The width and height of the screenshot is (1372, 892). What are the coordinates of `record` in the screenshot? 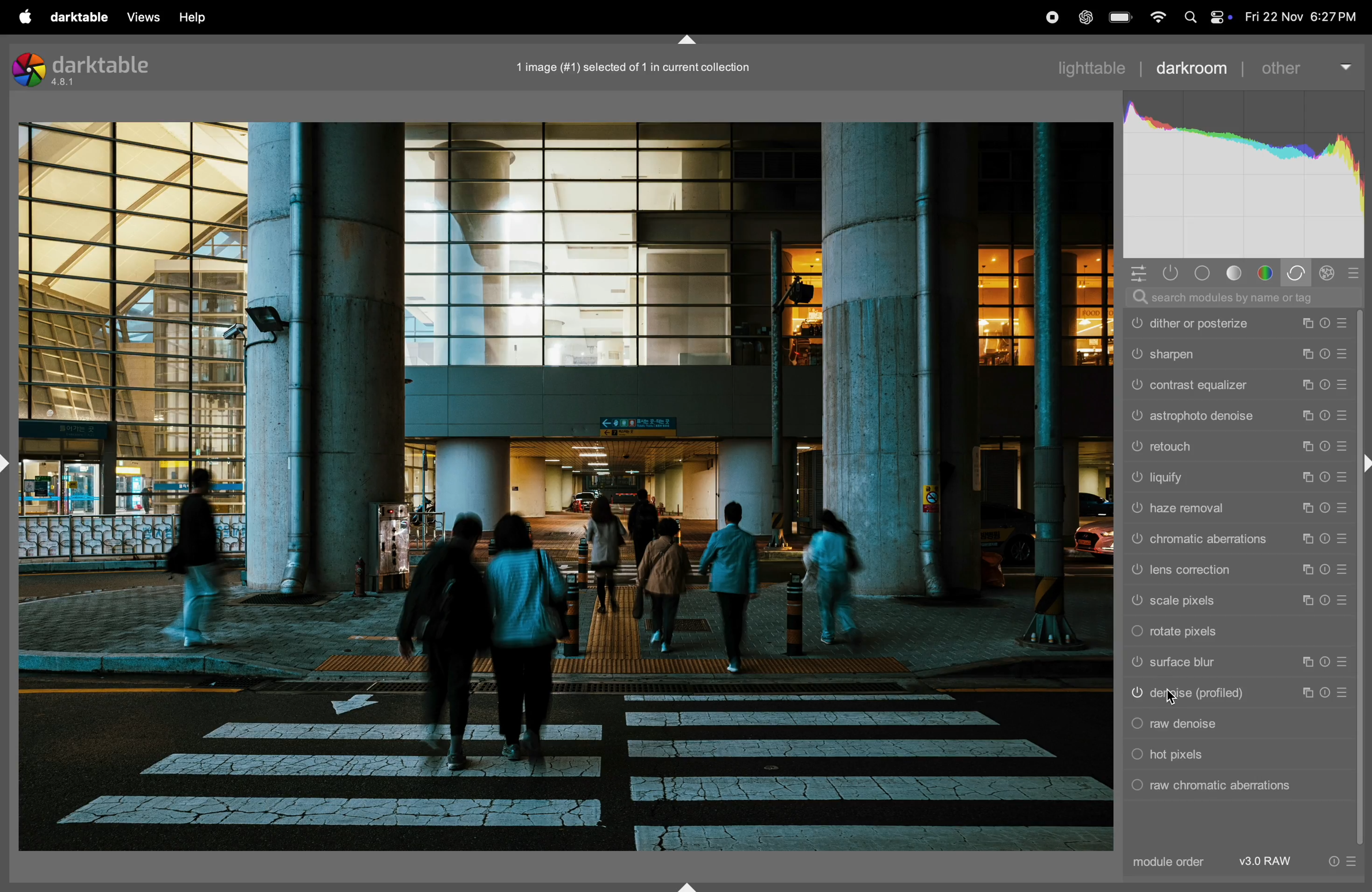 It's located at (1051, 16).